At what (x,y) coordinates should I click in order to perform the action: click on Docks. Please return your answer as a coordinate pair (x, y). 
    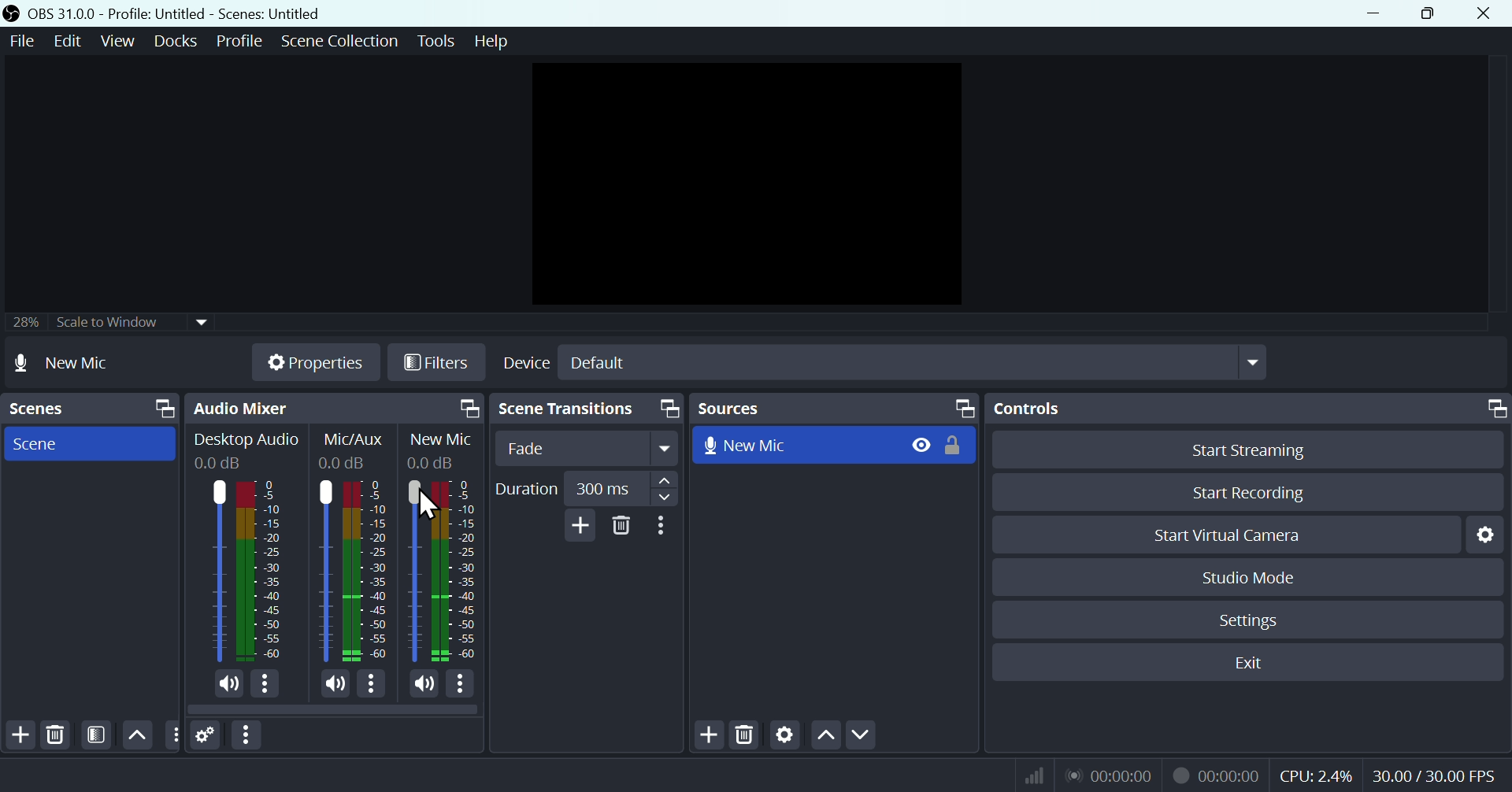
    Looking at the image, I should click on (179, 41).